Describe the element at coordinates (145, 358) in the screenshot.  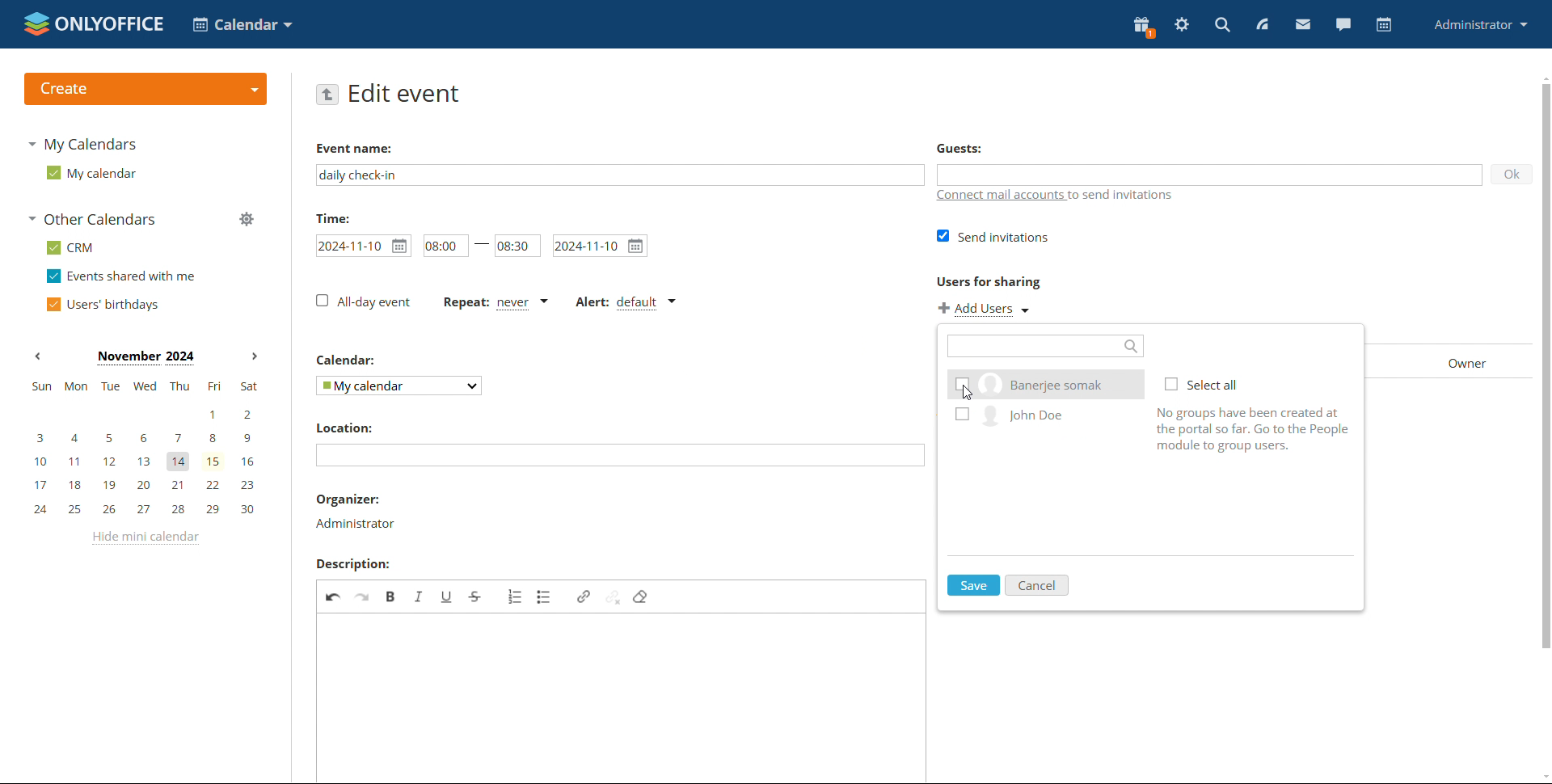
I see `current month` at that location.